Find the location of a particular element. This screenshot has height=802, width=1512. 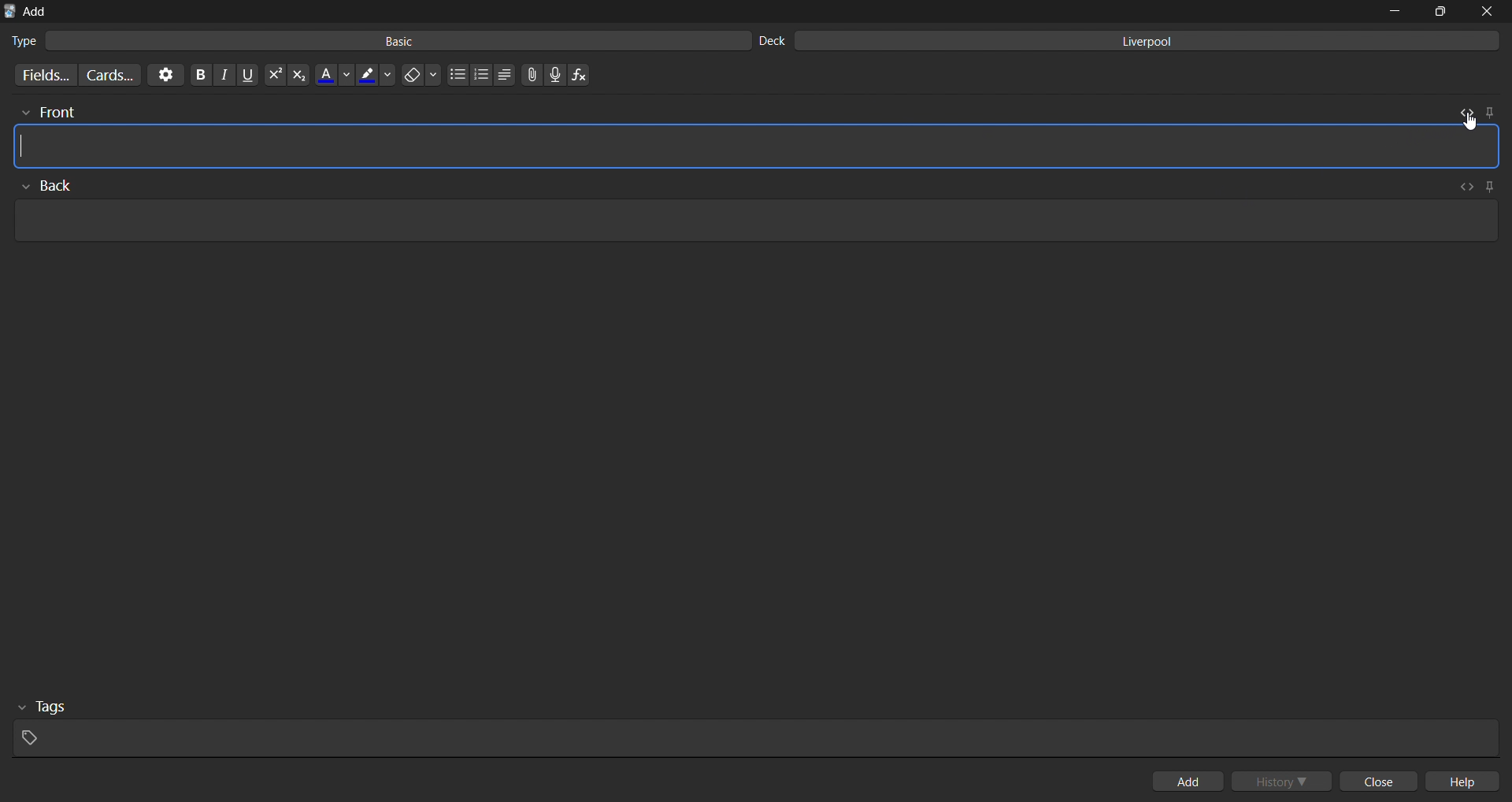

attach files is located at coordinates (531, 75).